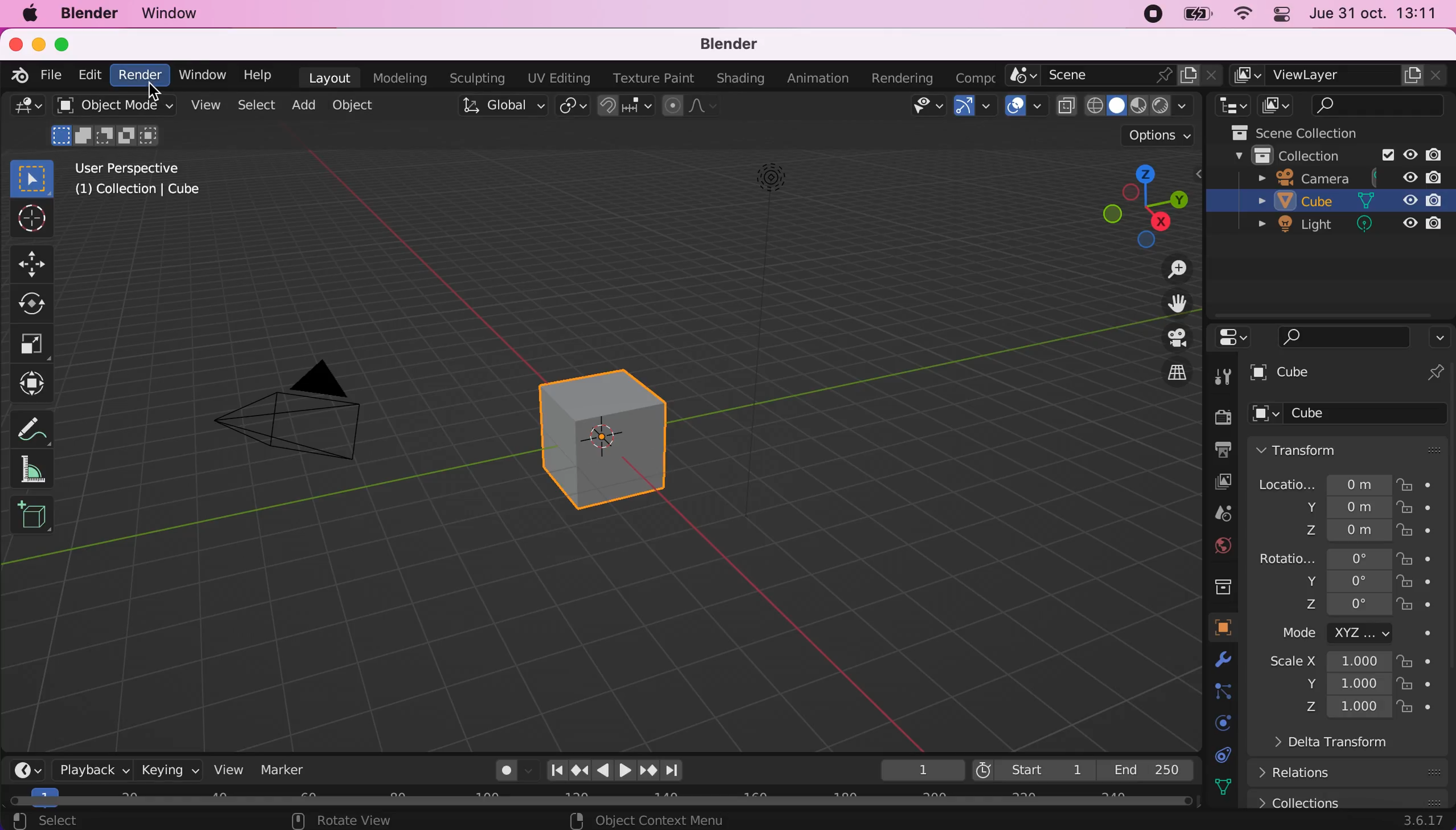 The width and height of the screenshot is (1456, 830). Describe the element at coordinates (1033, 770) in the screenshot. I see `start 1` at that location.